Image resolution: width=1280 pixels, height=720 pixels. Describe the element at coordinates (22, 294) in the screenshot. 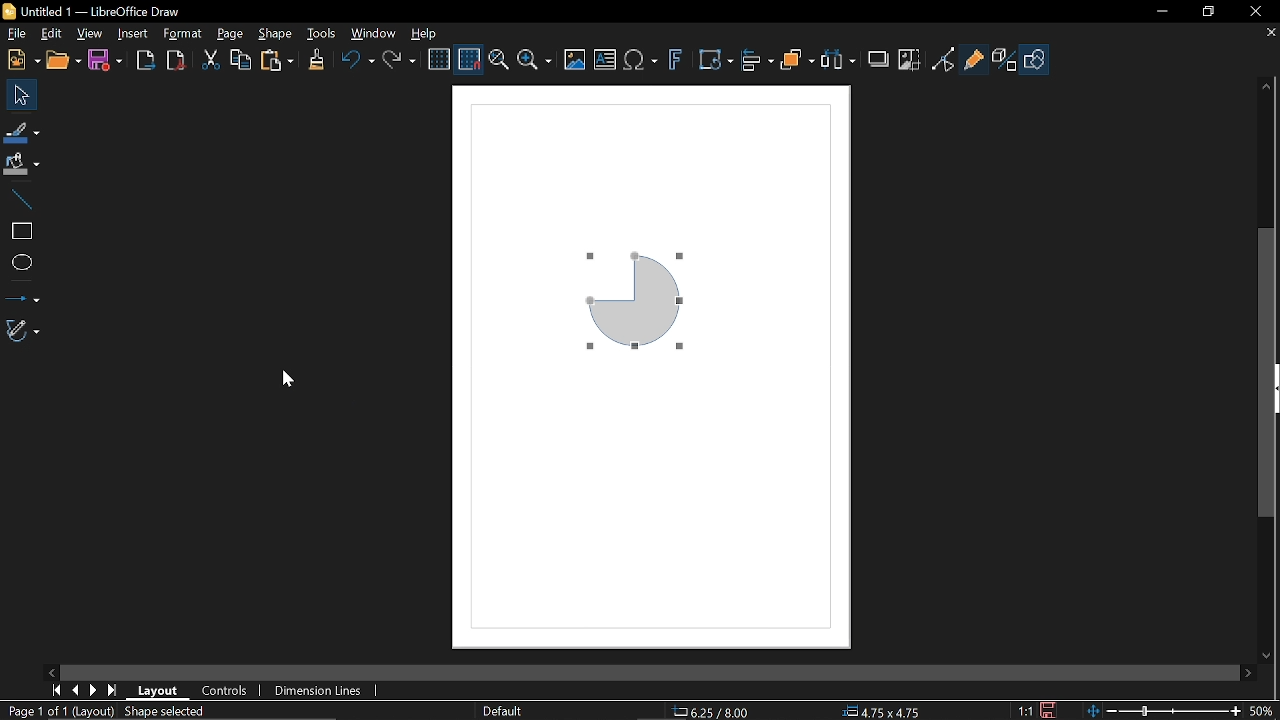

I see `lINES AND ARROWS` at that location.